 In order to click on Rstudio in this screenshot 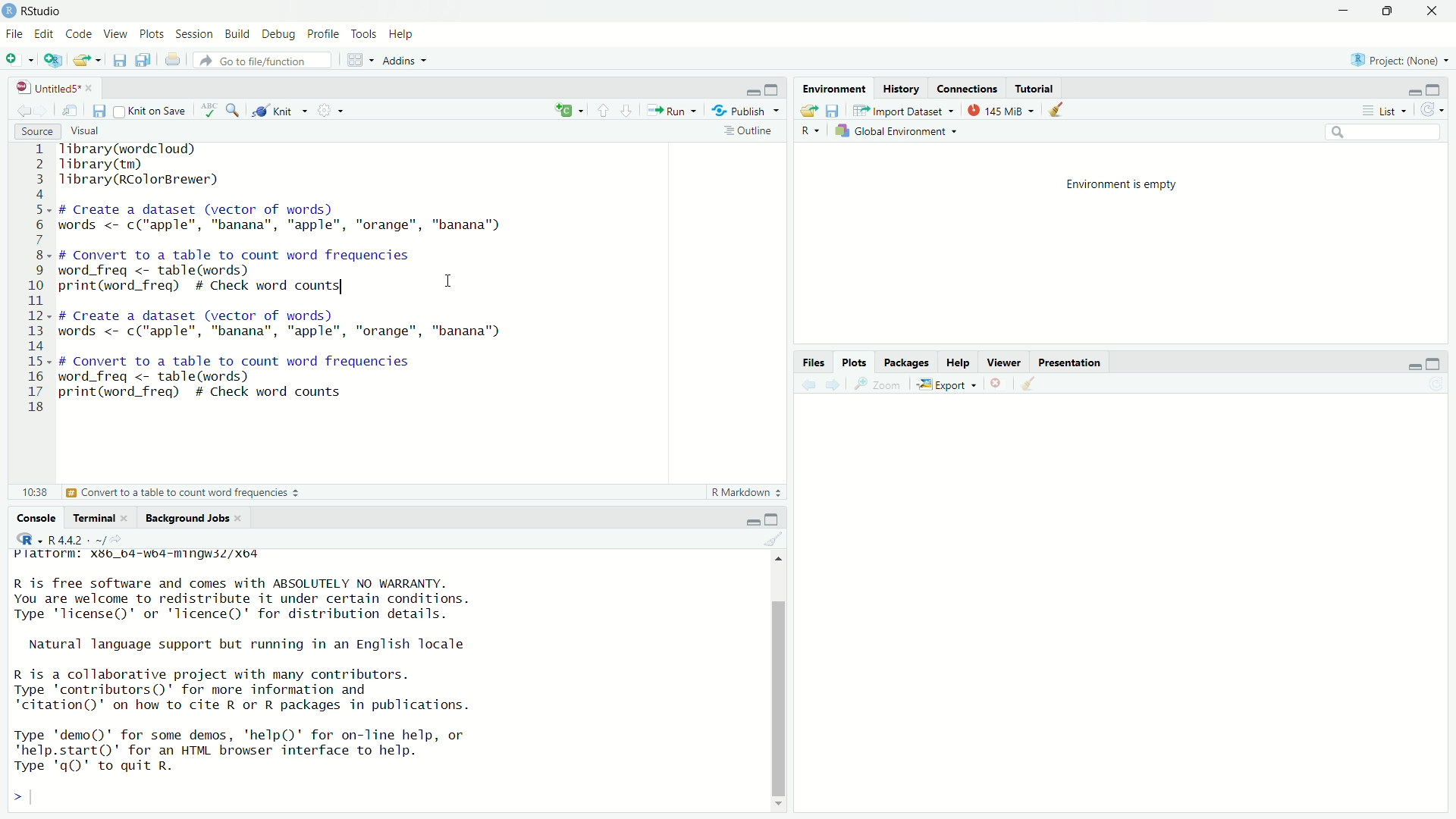, I will do `click(35, 10)`.